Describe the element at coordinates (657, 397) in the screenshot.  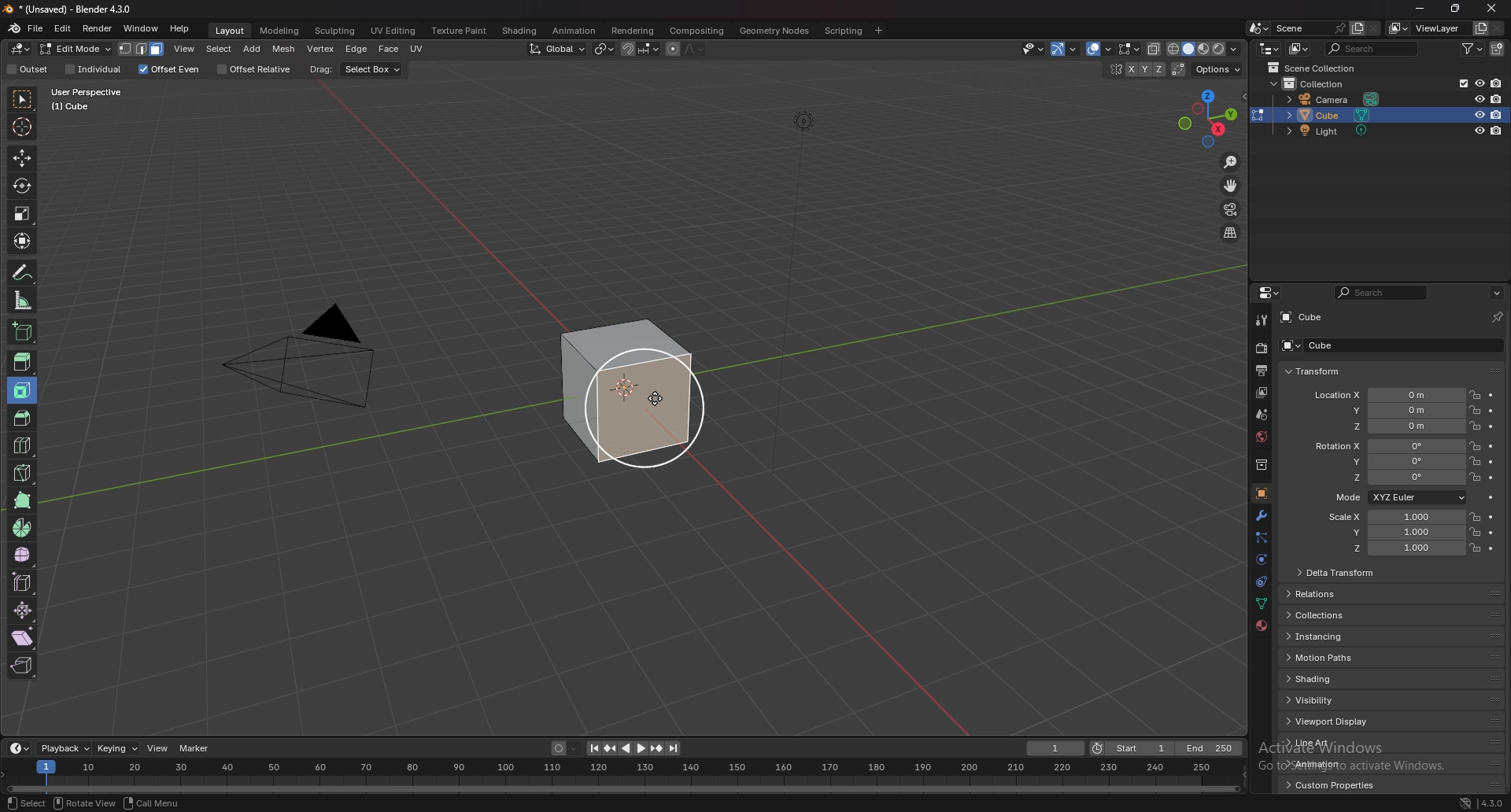
I see `cursor` at that location.